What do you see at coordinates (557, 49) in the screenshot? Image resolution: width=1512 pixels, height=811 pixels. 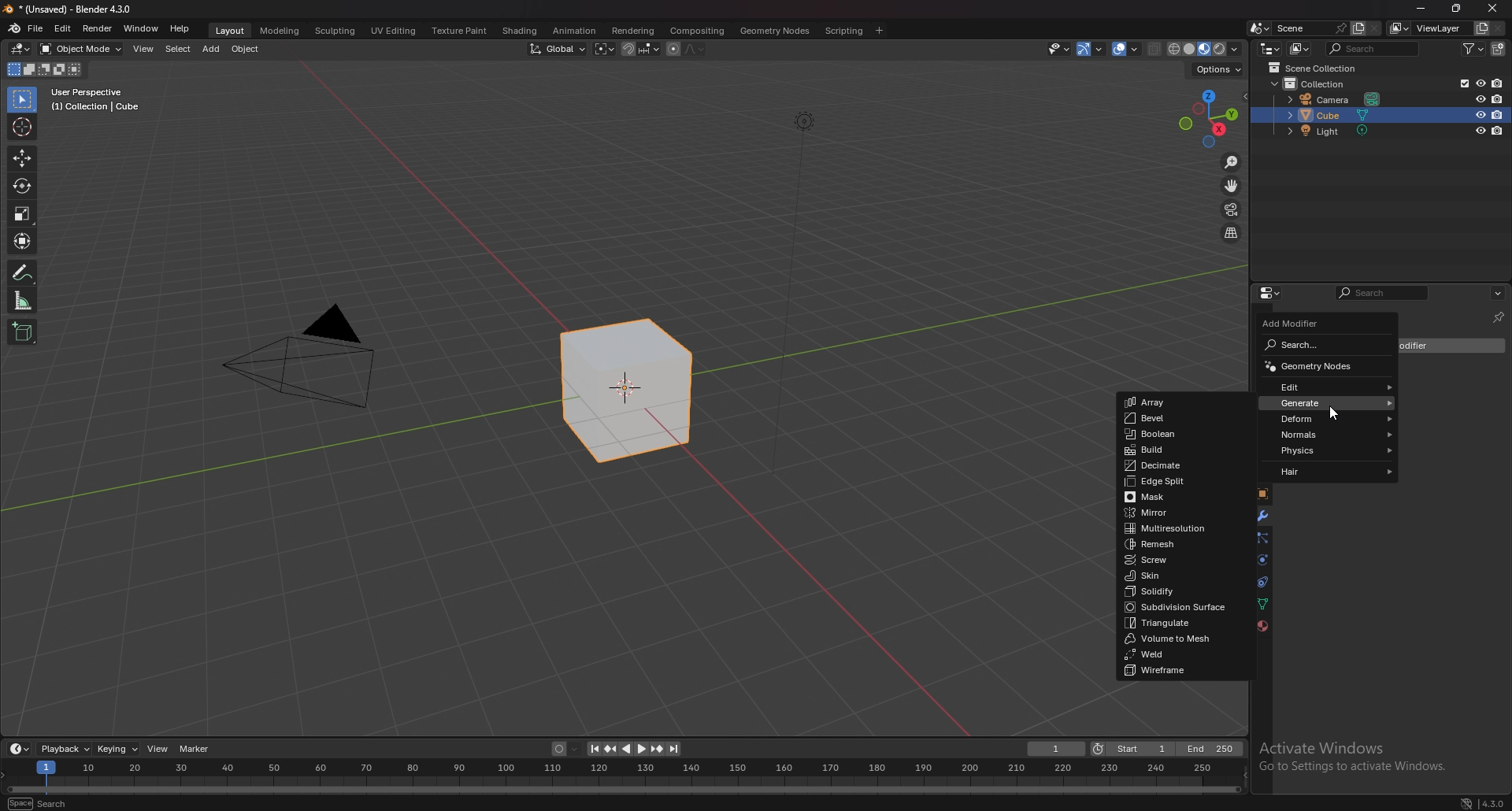 I see `transform orientation` at bounding box center [557, 49].